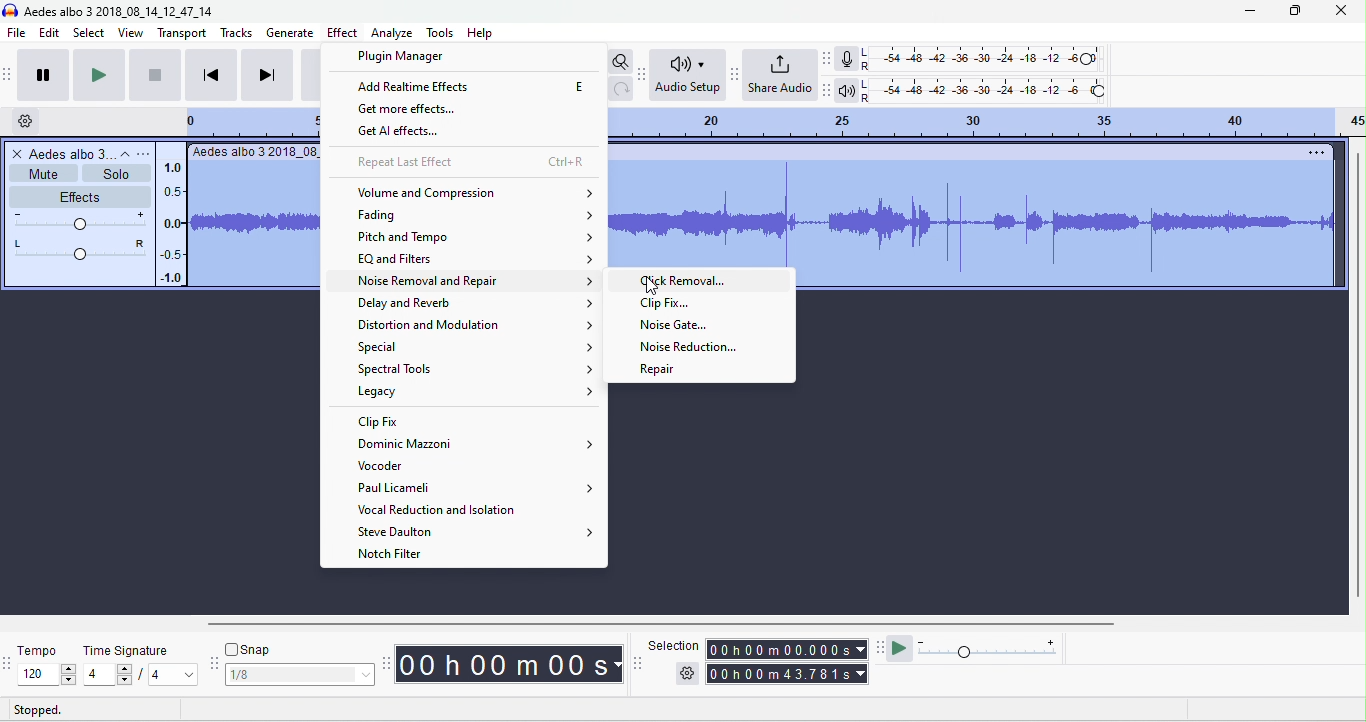 This screenshot has height=722, width=1366. Describe the element at coordinates (471, 325) in the screenshot. I see `distortion and modulation` at that location.